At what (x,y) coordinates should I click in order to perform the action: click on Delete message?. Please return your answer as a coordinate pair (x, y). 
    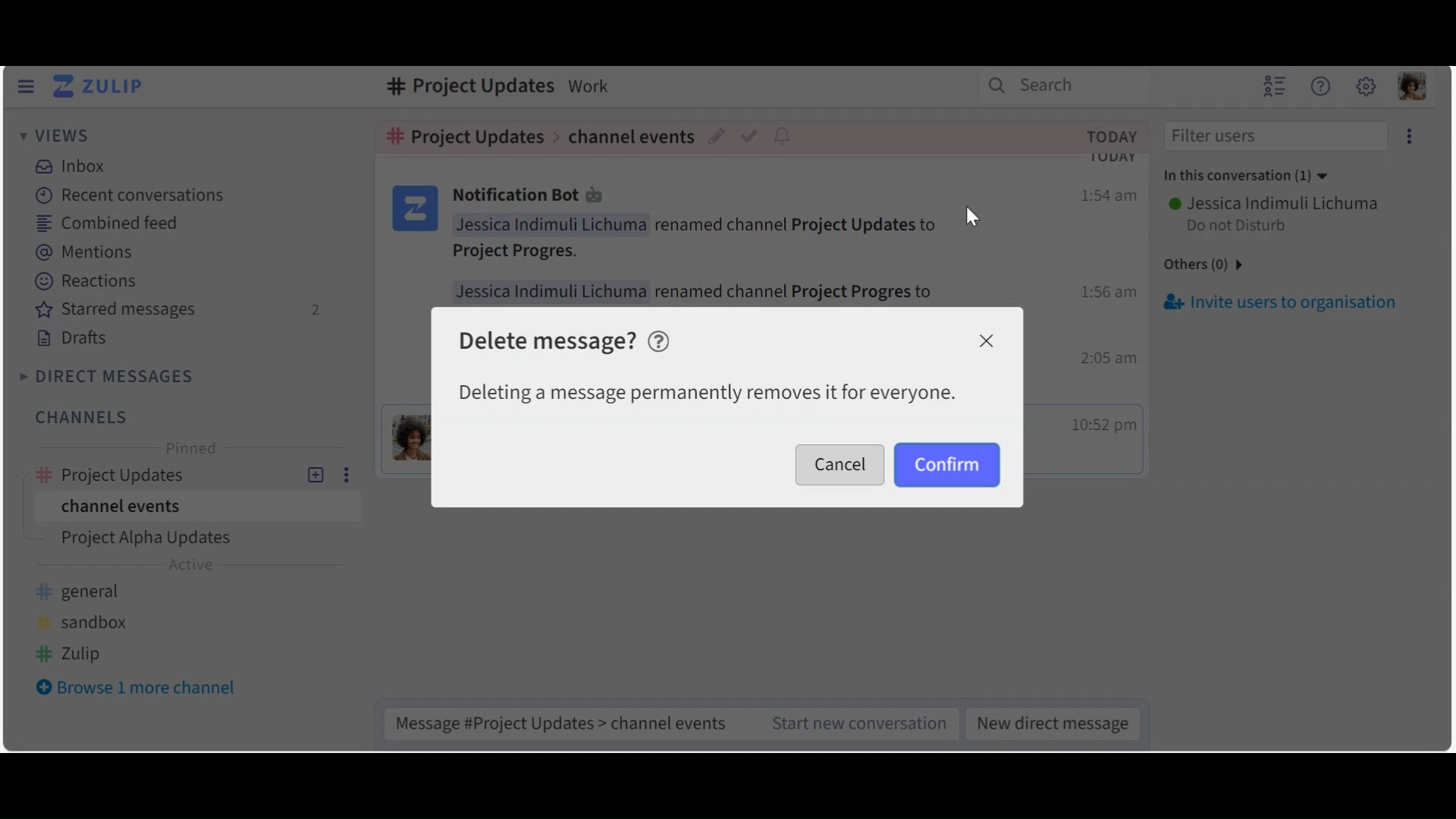
    Looking at the image, I should click on (548, 343).